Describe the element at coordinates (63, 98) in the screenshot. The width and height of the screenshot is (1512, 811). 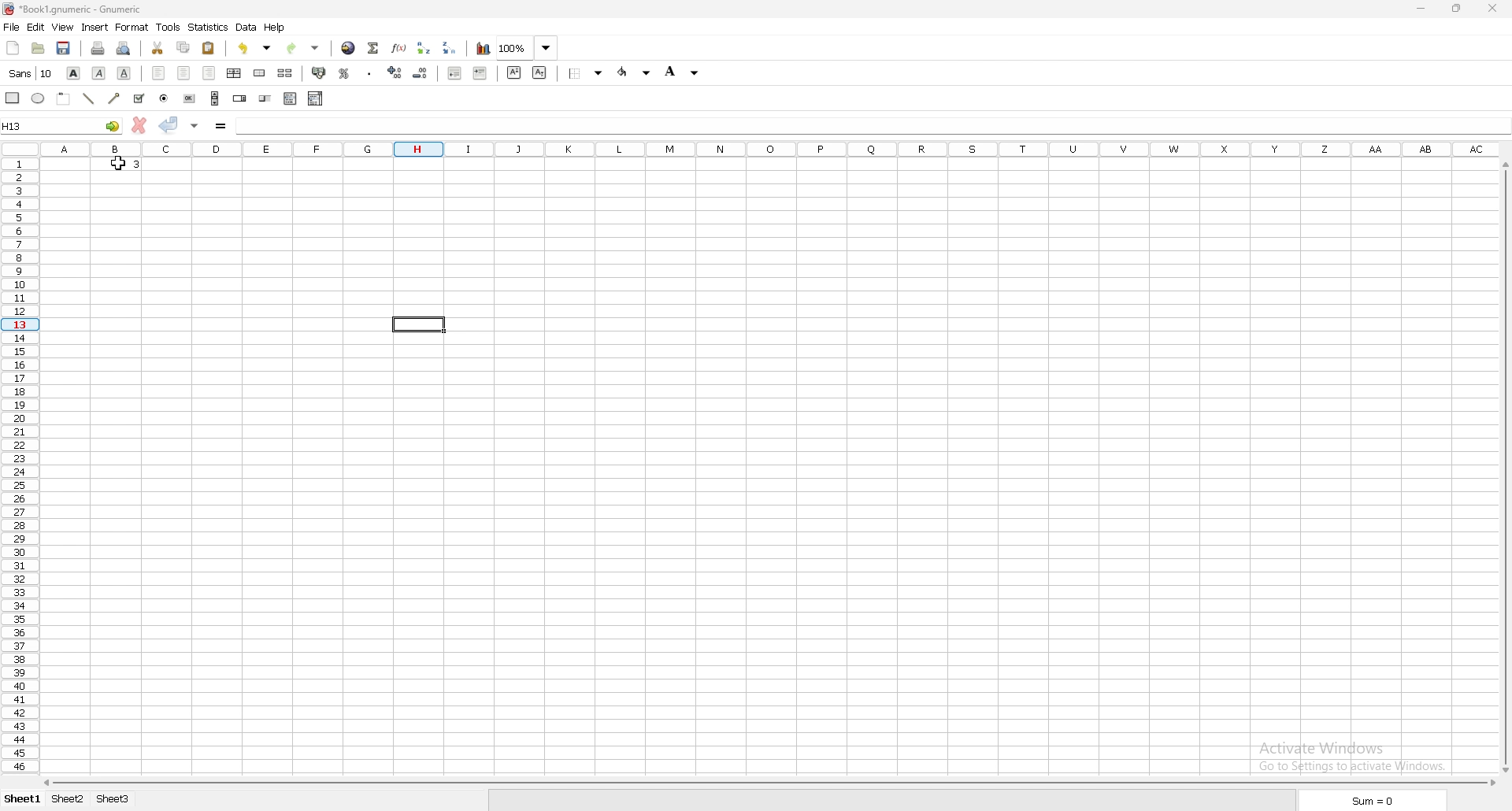
I see `frame` at that location.